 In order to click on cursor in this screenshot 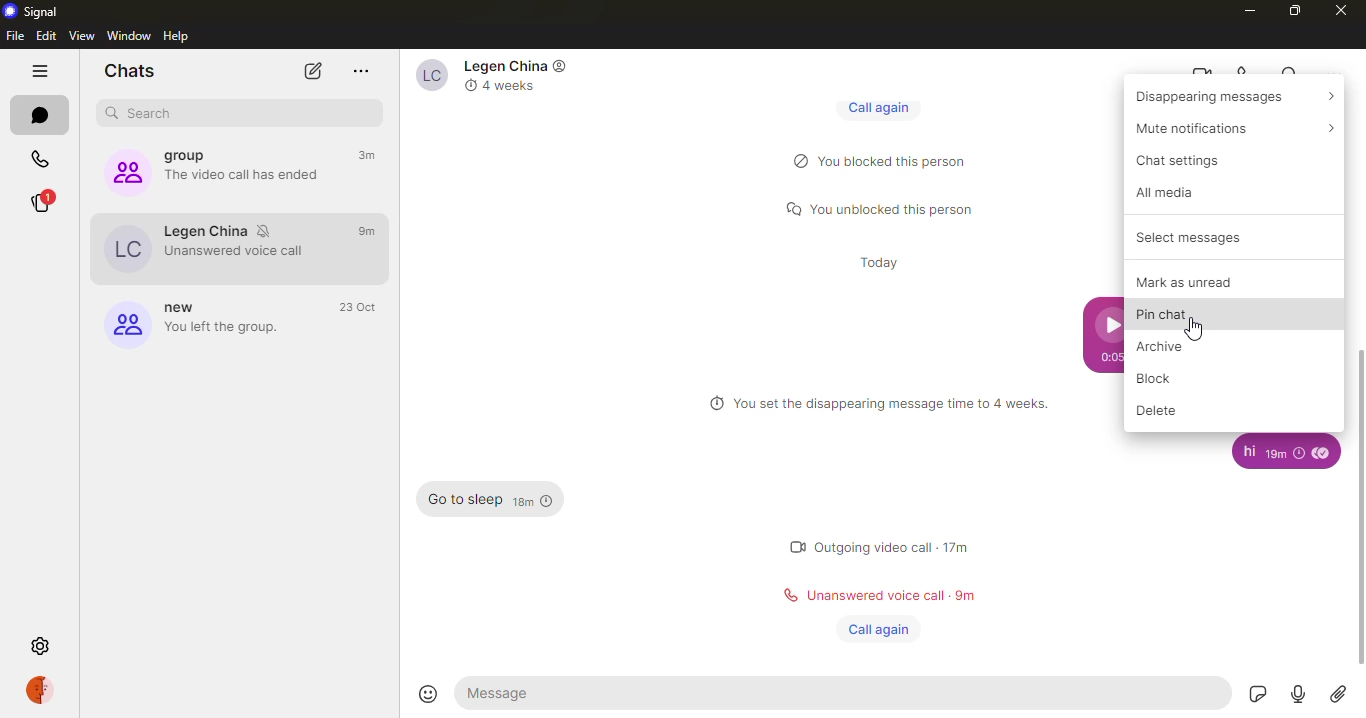, I will do `click(1197, 331)`.